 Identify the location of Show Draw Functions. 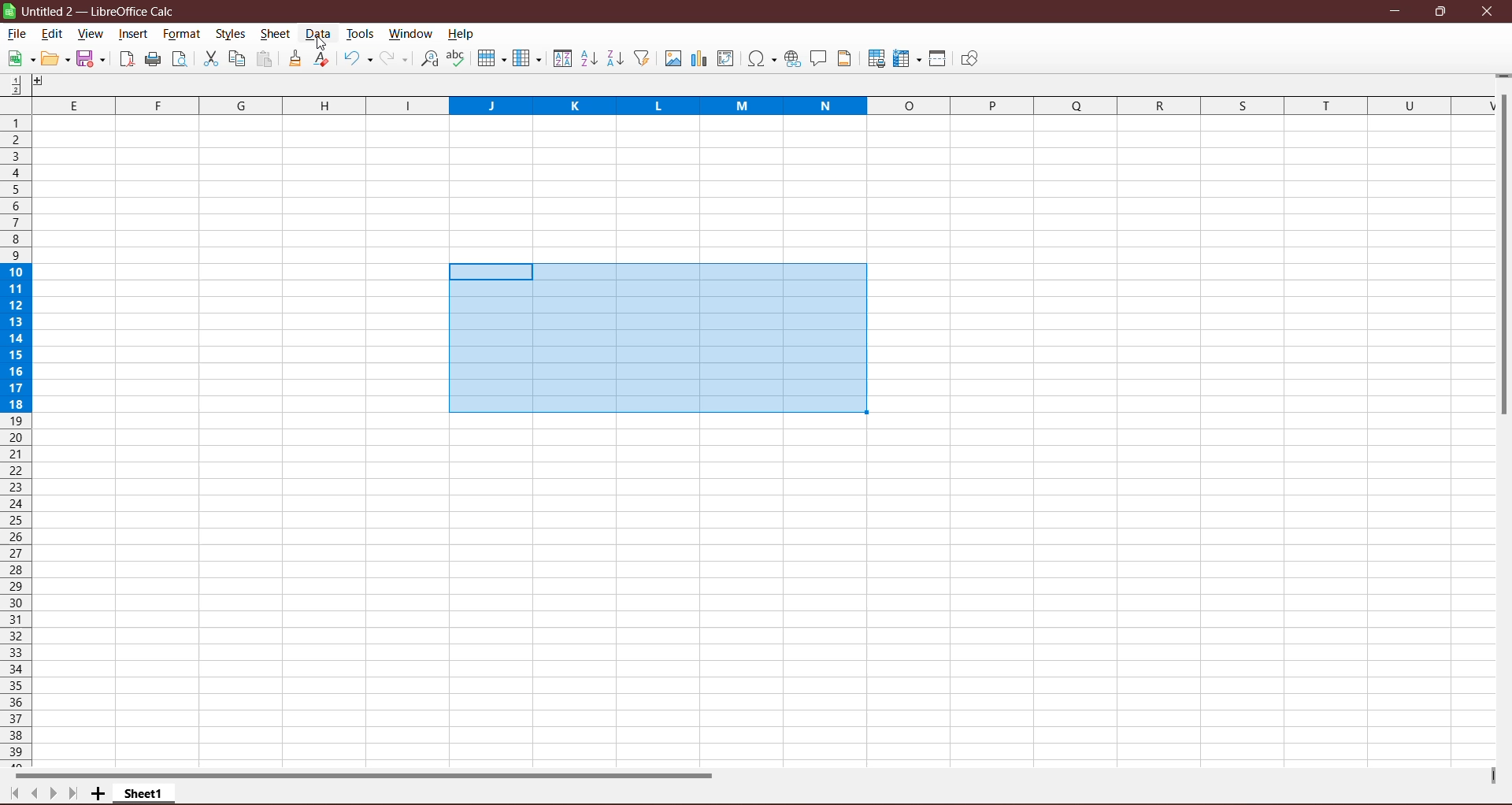
(969, 59).